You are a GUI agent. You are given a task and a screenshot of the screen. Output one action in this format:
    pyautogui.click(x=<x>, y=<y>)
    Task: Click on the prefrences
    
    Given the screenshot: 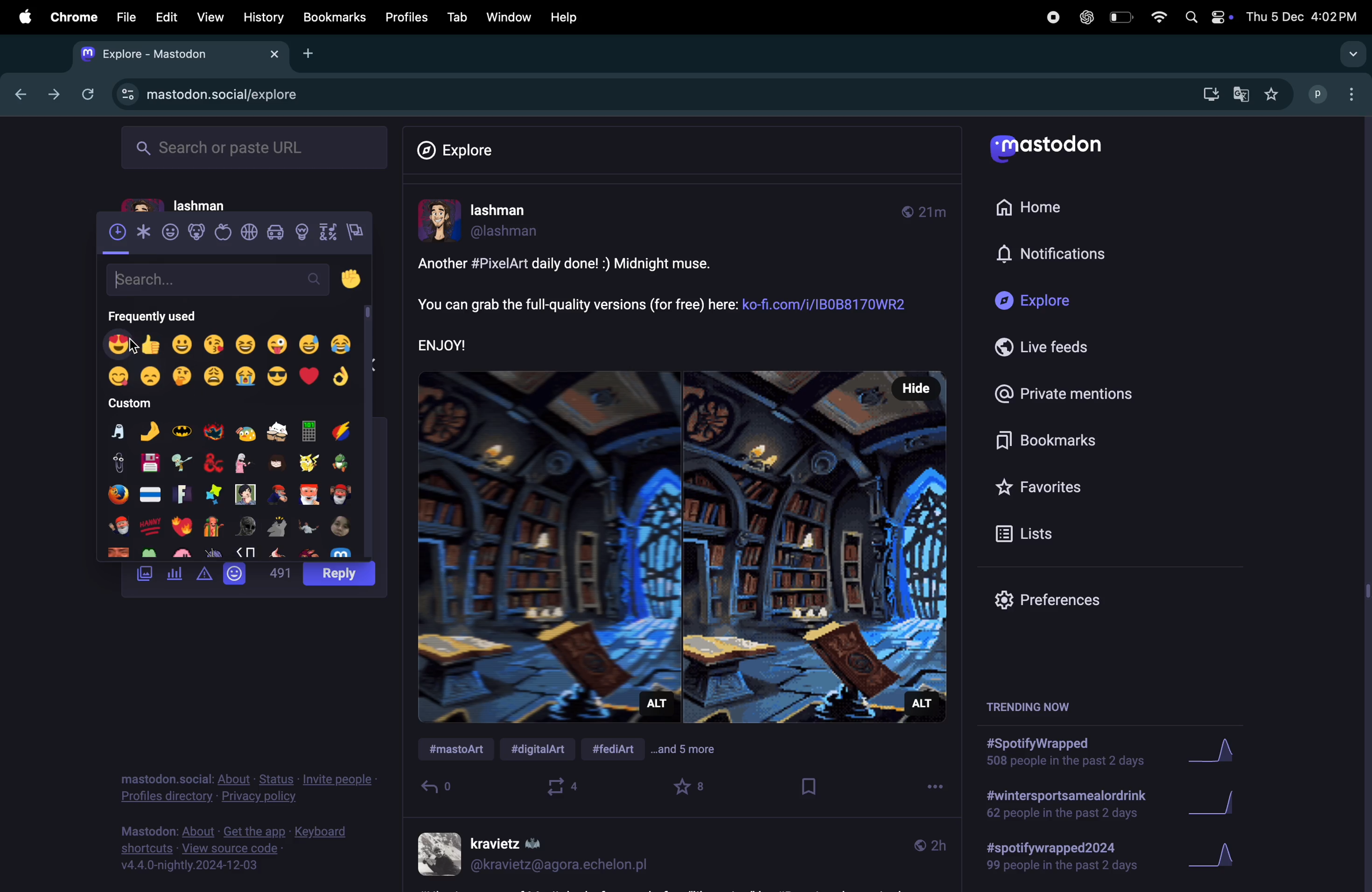 What is the action you would take?
    pyautogui.click(x=1060, y=599)
    